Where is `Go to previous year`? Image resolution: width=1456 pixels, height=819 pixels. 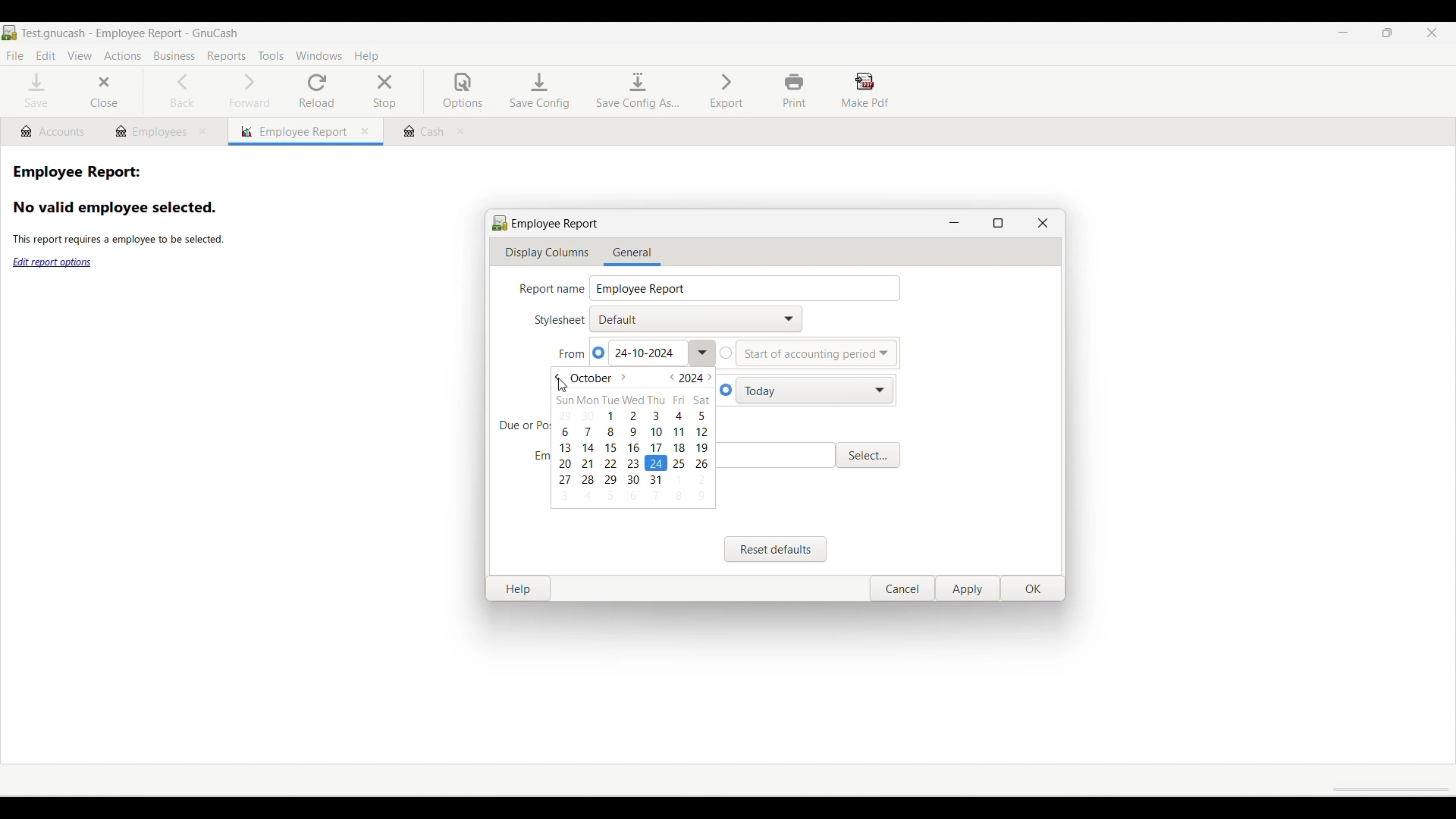 Go to previous year is located at coordinates (674, 377).